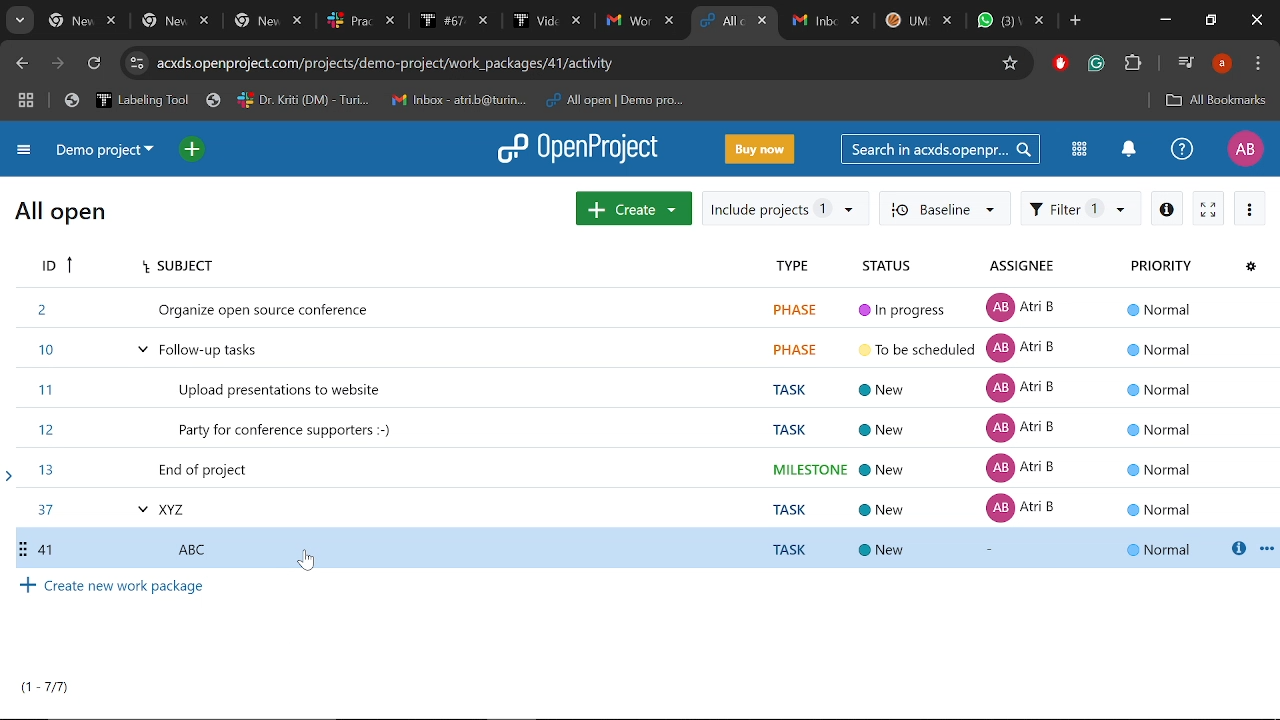 This screenshot has height=720, width=1280. What do you see at coordinates (718, 22) in the screenshot?
I see `Current tab` at bounding box center [718, 22].